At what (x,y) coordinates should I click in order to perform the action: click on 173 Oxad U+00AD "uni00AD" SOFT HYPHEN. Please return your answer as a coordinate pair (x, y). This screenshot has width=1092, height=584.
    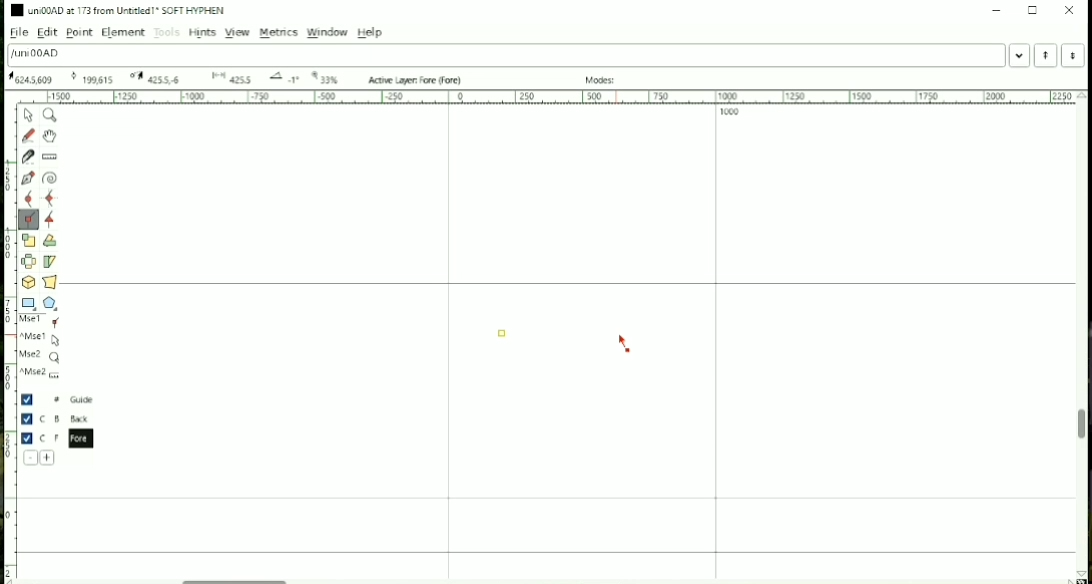
    Looking at the image, I should click on (233, 77).